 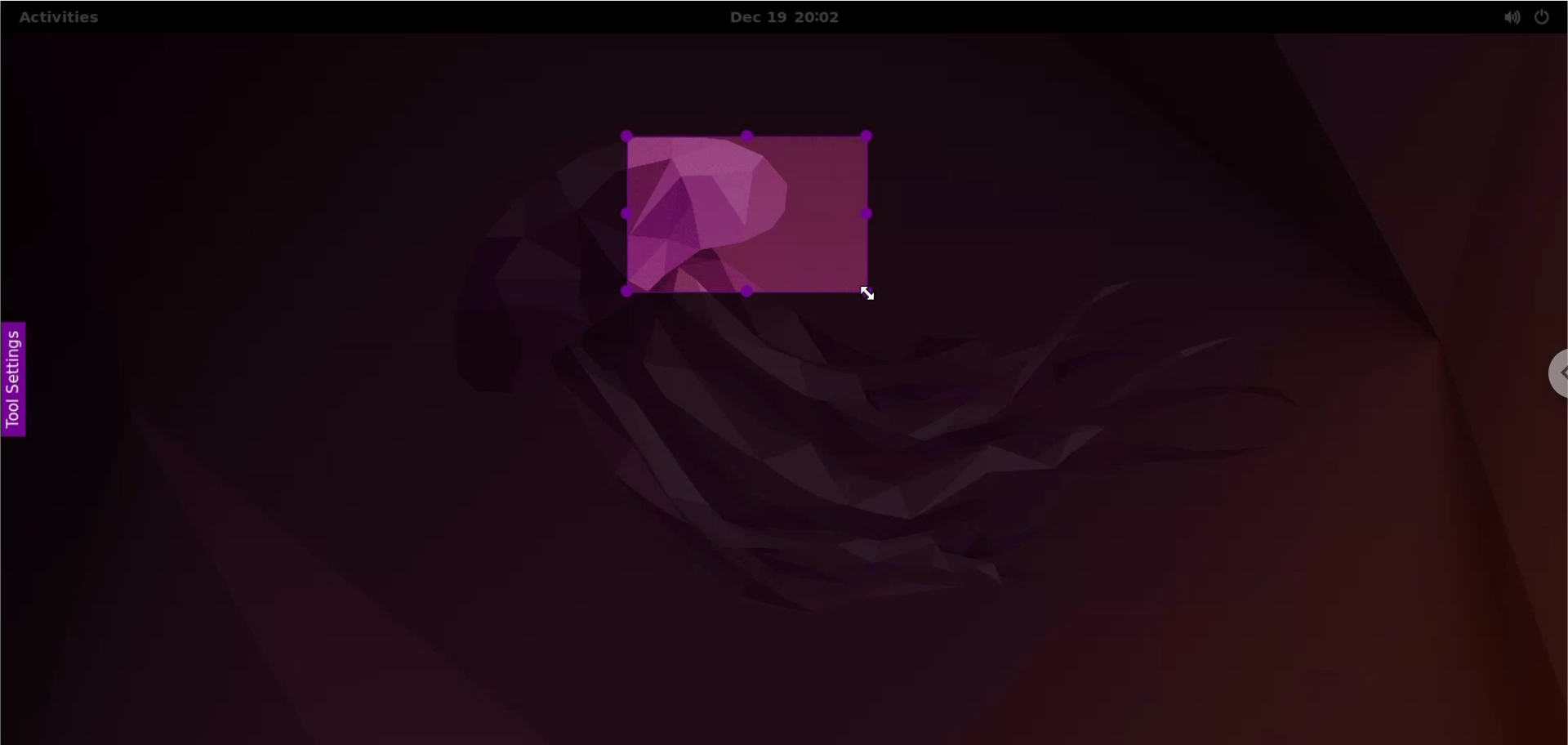 I want to click on selected area, so click(x=749, y=213).